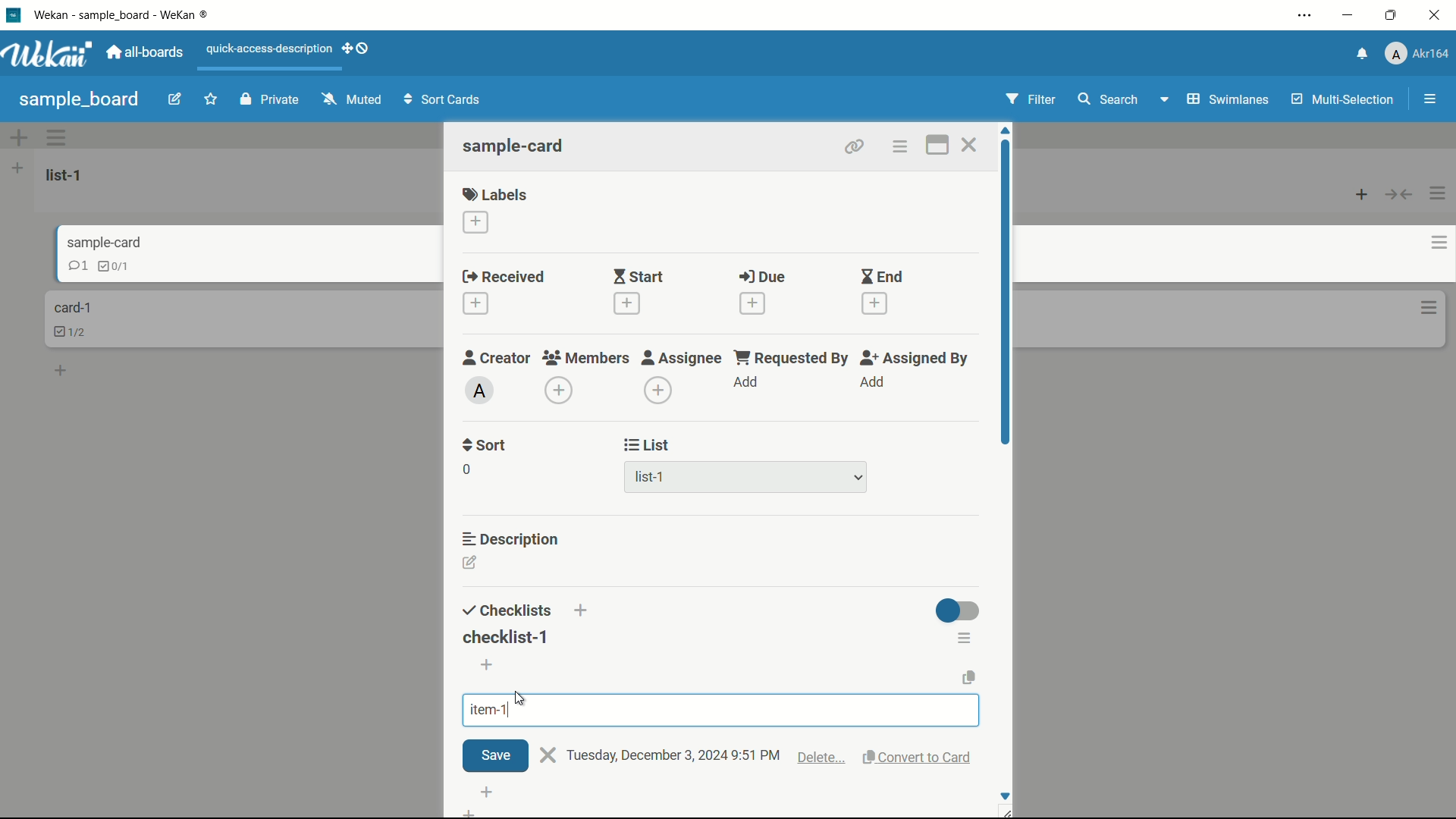 Image resolution: width=1456 pixels, height=819 pixels. What do you see at coordinates (1350, 15) in the screenshot?
I see `minimize` at bounding box center [1350, 15].